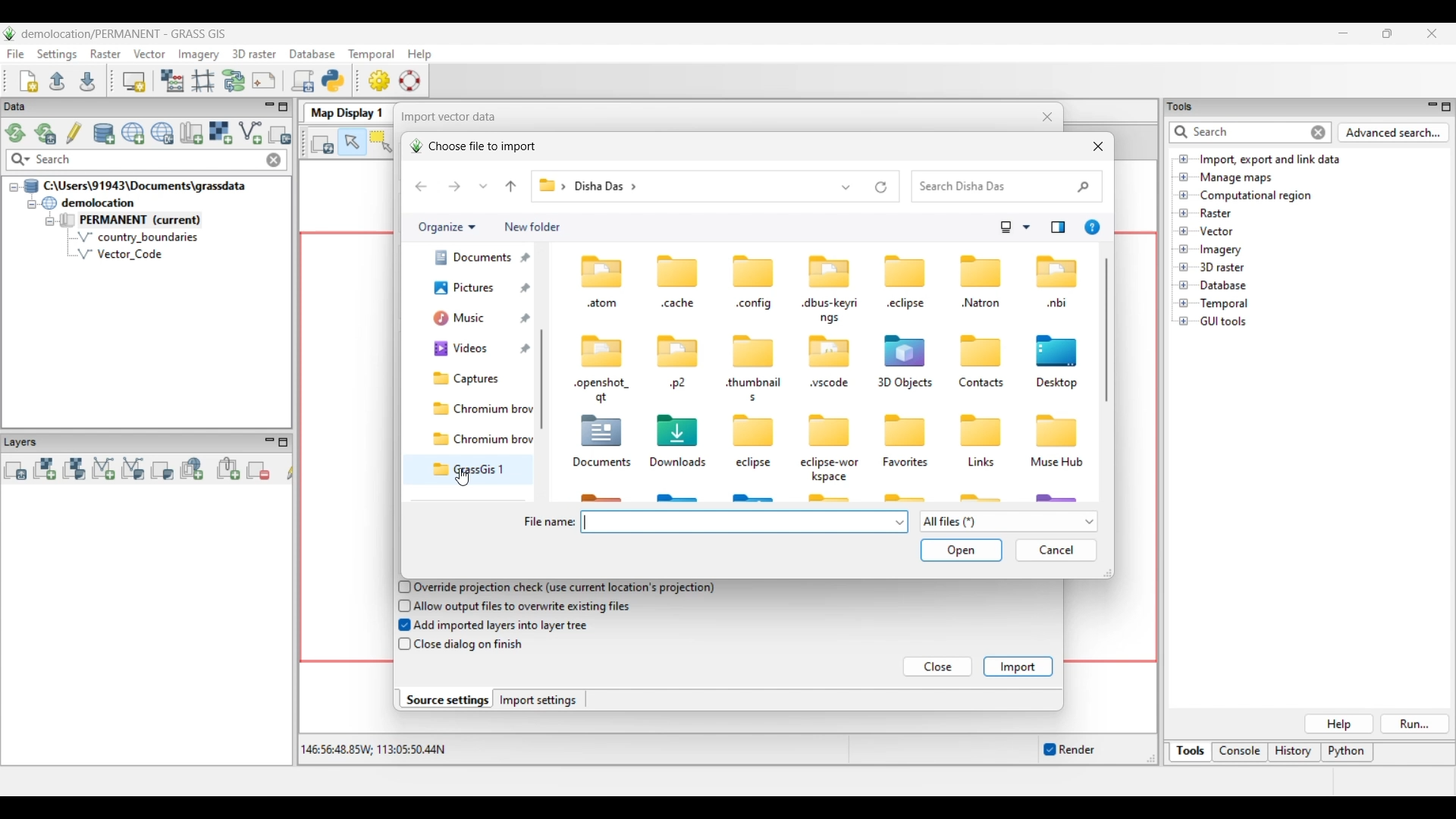 This screenshot has height=819, width=1456. I want to click on Organize current folder, so click(446, 227).